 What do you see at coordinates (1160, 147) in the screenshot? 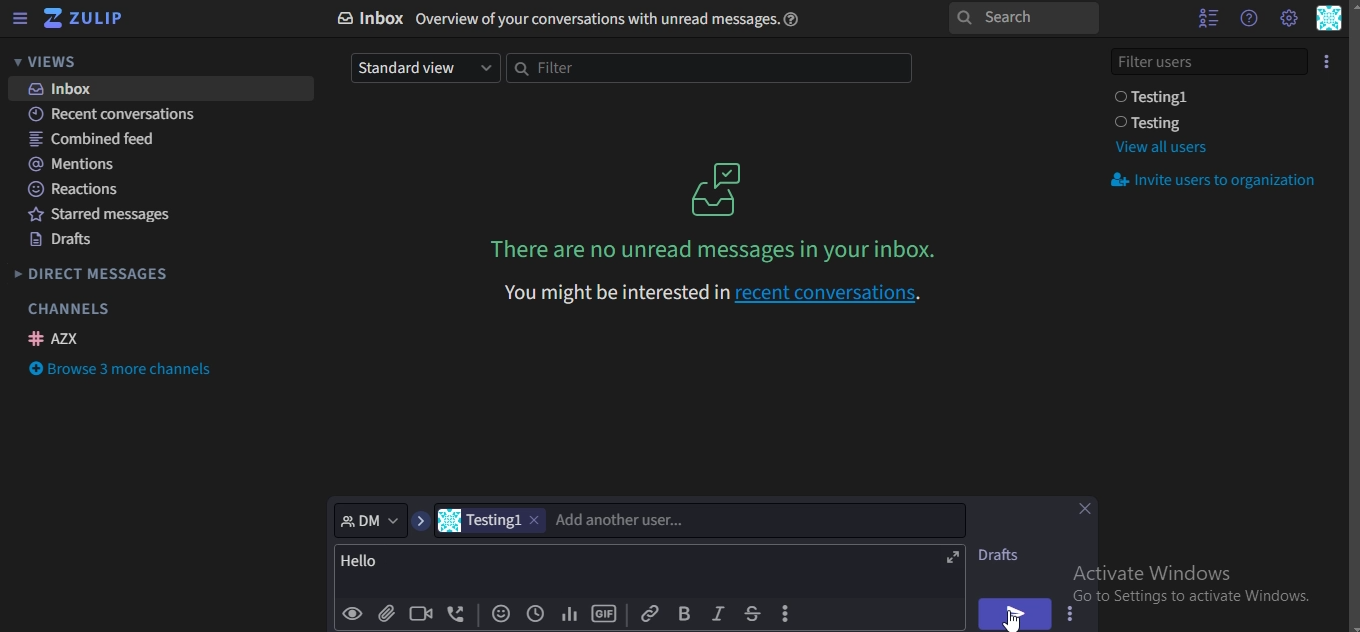
I see `view all users` at bounding box center [1160, 147].